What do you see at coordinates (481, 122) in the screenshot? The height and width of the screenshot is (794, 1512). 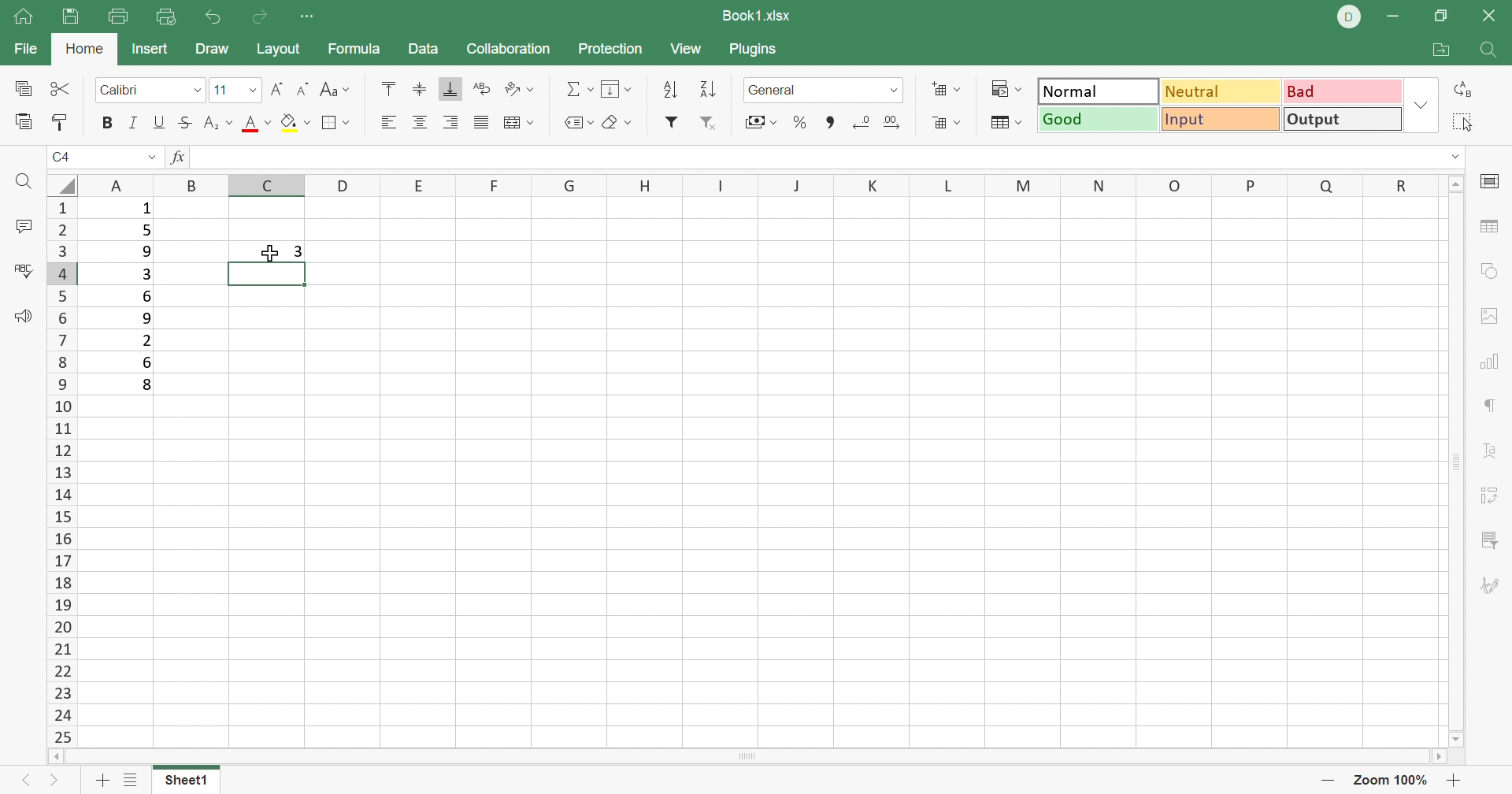 I see `Justified` at bounding box center [481, 122].